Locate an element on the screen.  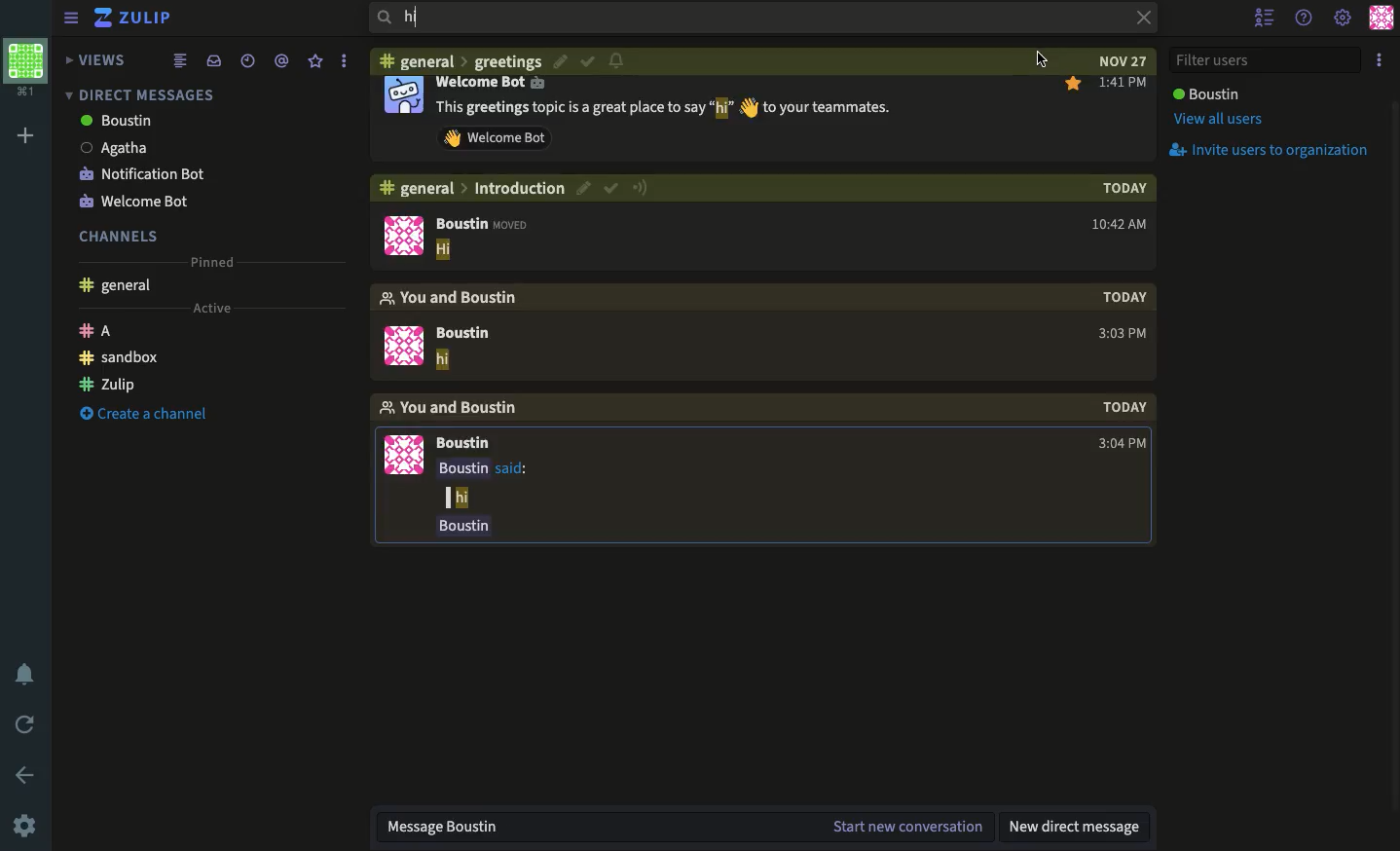
Favorite is located at coordinates (315, 61).